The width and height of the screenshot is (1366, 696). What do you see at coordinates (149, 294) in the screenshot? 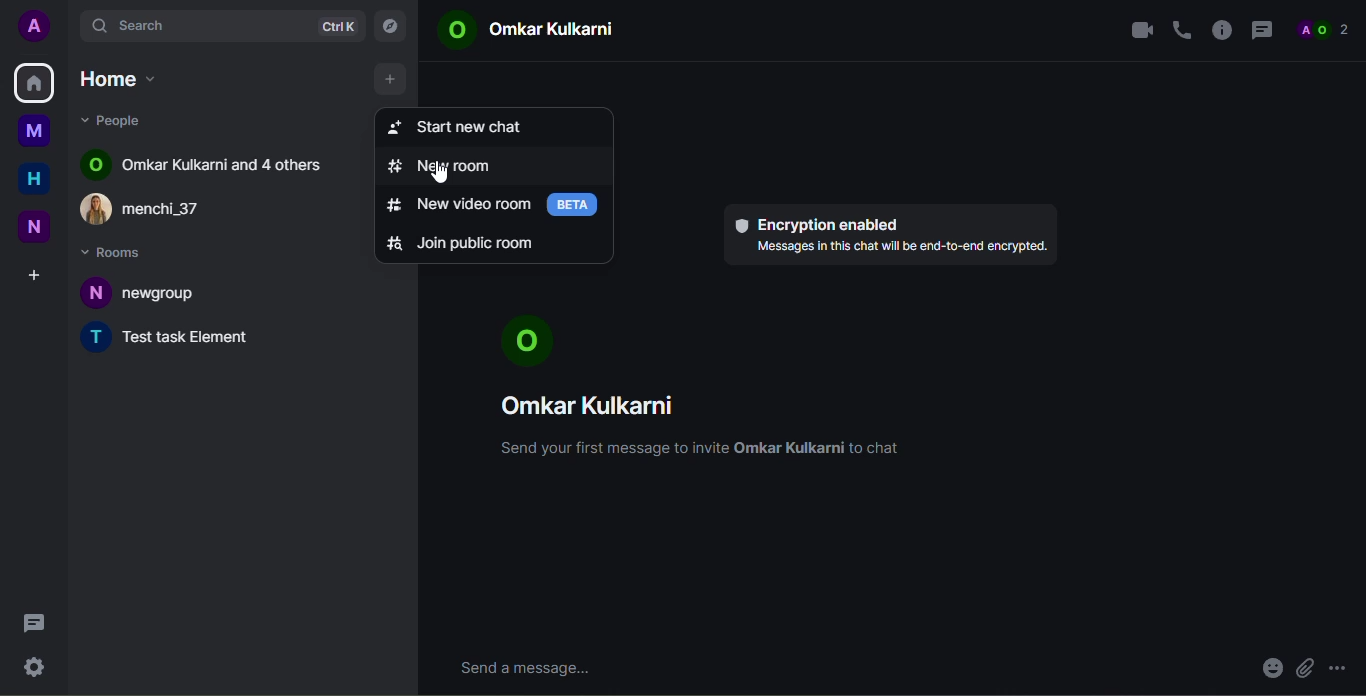
I see `N newgroup` at bounding box center [149, 294].